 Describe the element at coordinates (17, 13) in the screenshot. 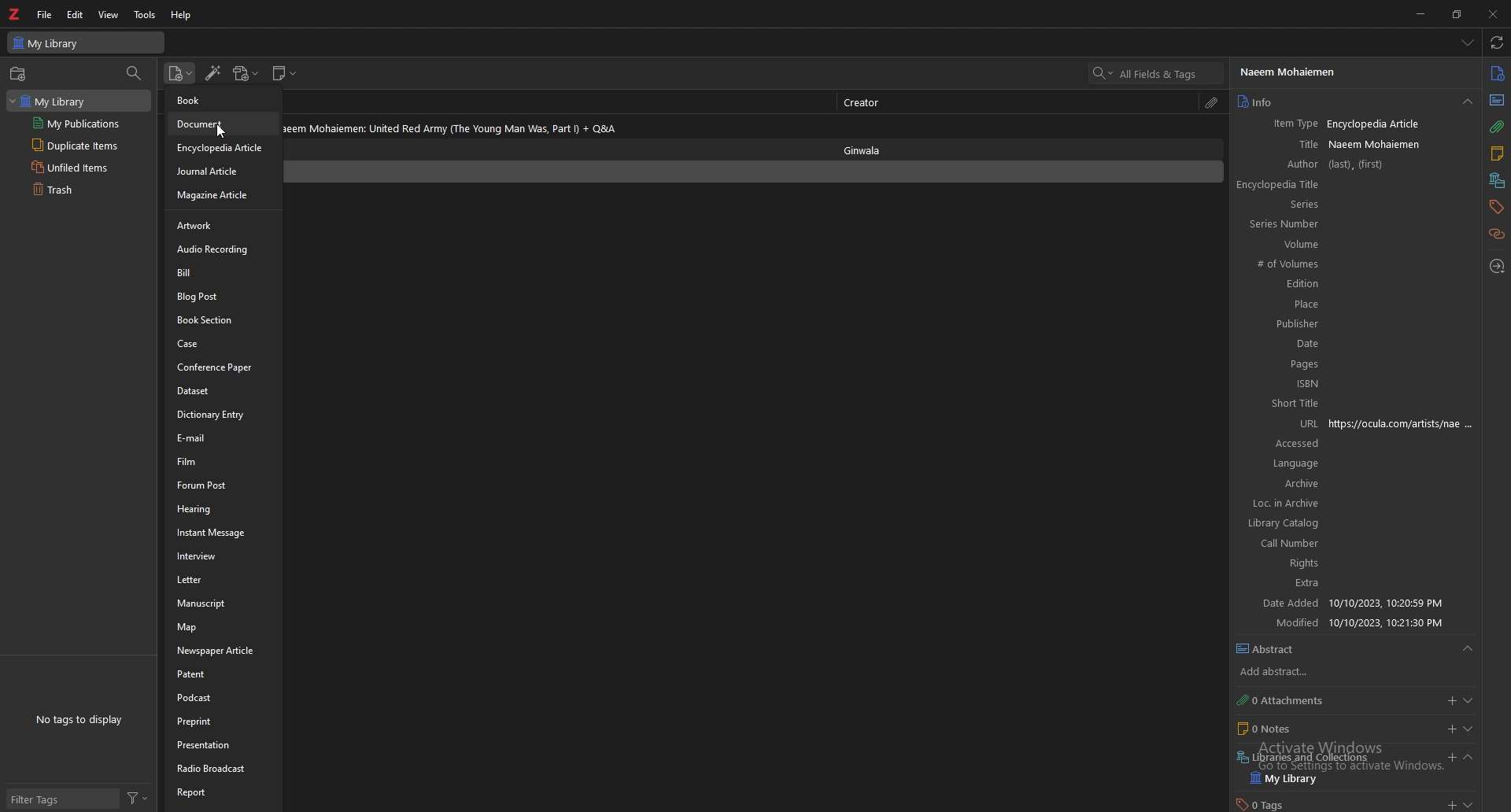

I see `zotero` at that location.